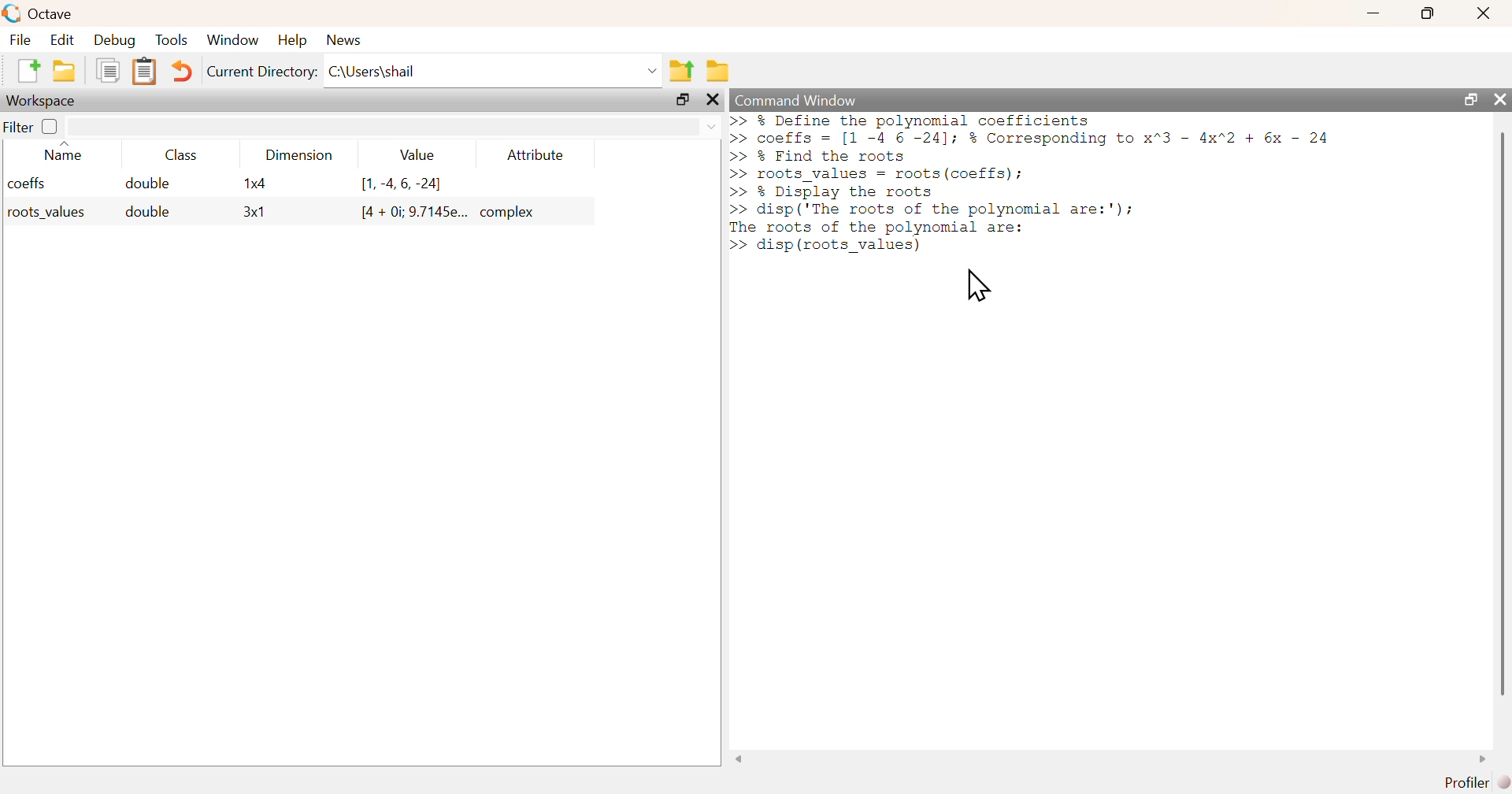  Describe the element at coordinates (179, 72) in the screenshot. I see `Undo` at that location.